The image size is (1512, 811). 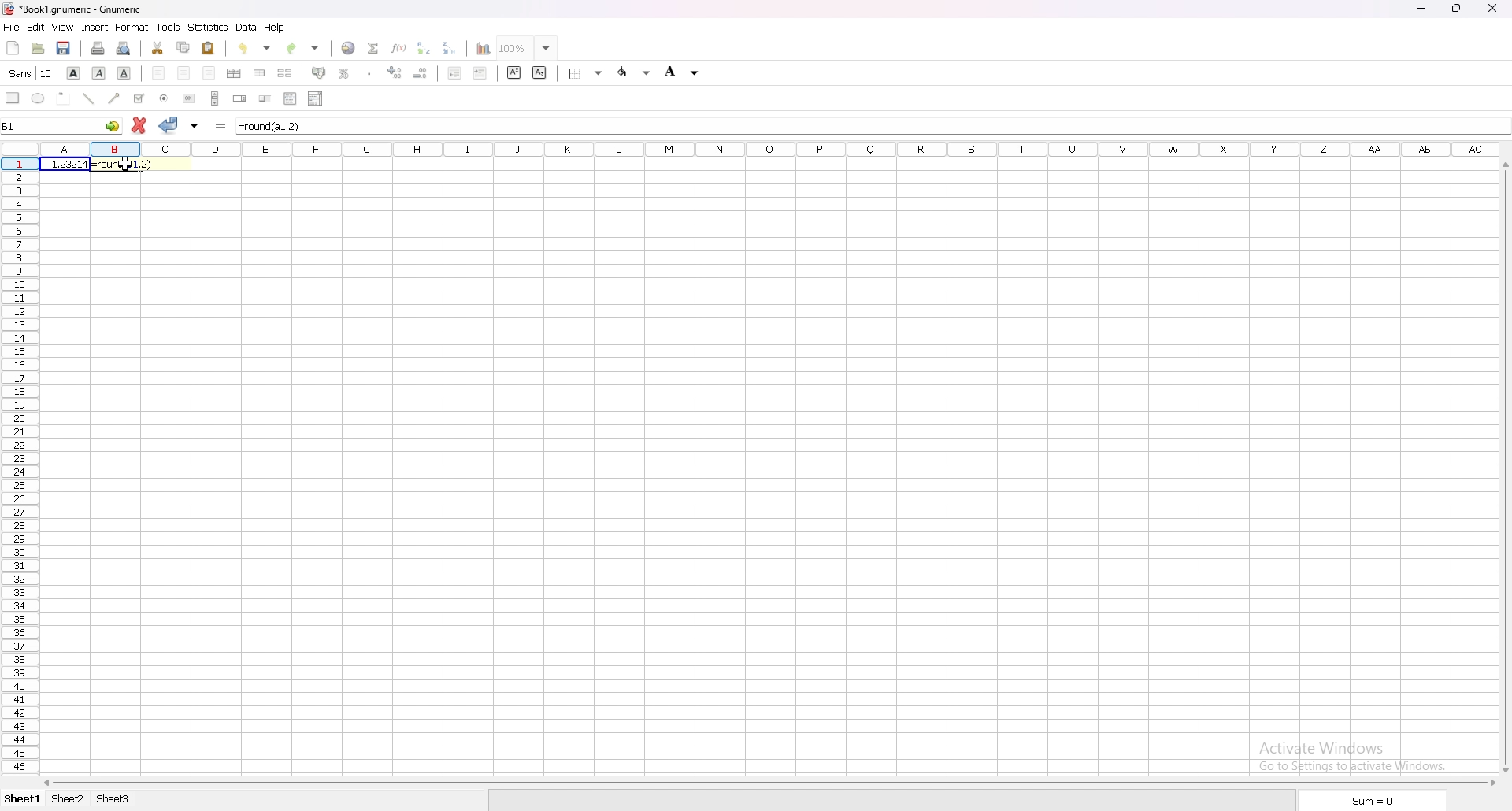 I want to click on file name, so click(x=69, y=9).